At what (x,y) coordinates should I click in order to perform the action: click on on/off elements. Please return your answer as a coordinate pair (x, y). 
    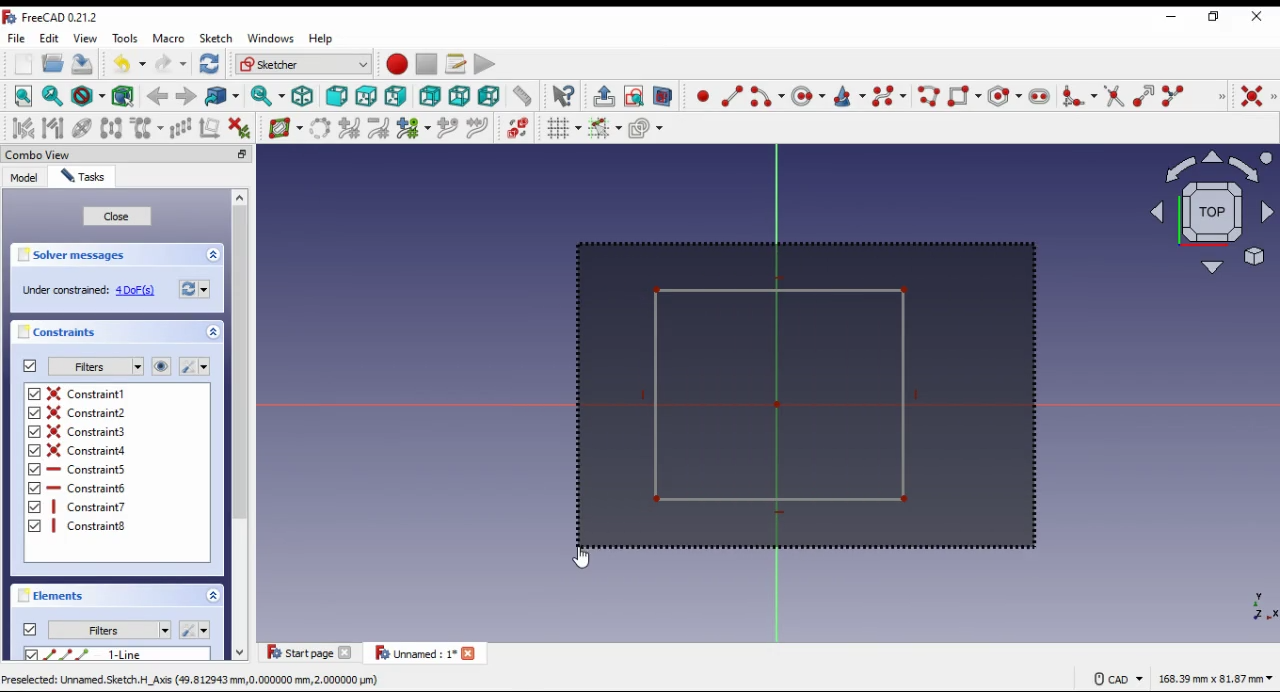
    Looking at the image, I should click on (30, 629).